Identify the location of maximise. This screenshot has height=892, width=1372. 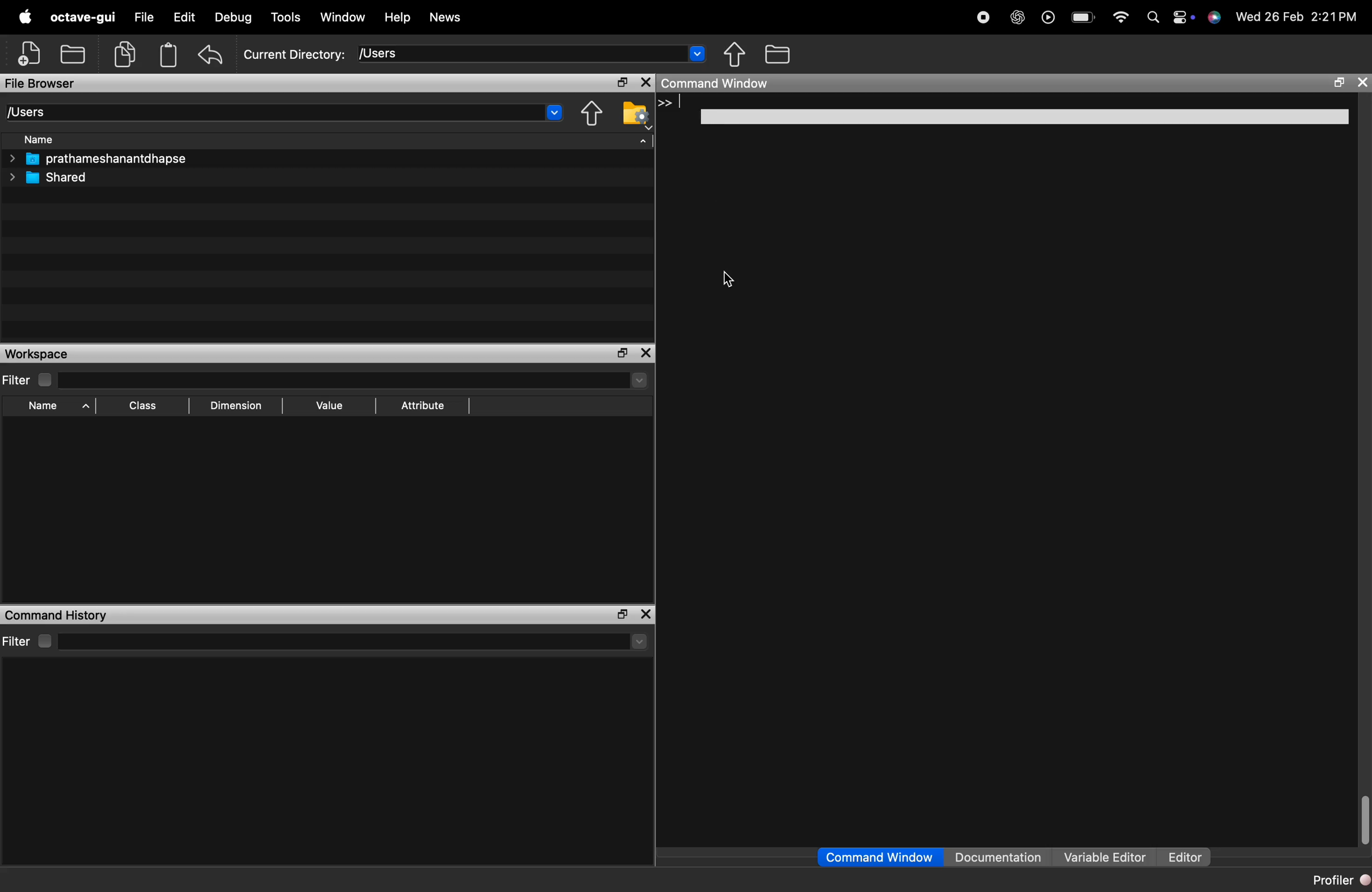
(615, 80).